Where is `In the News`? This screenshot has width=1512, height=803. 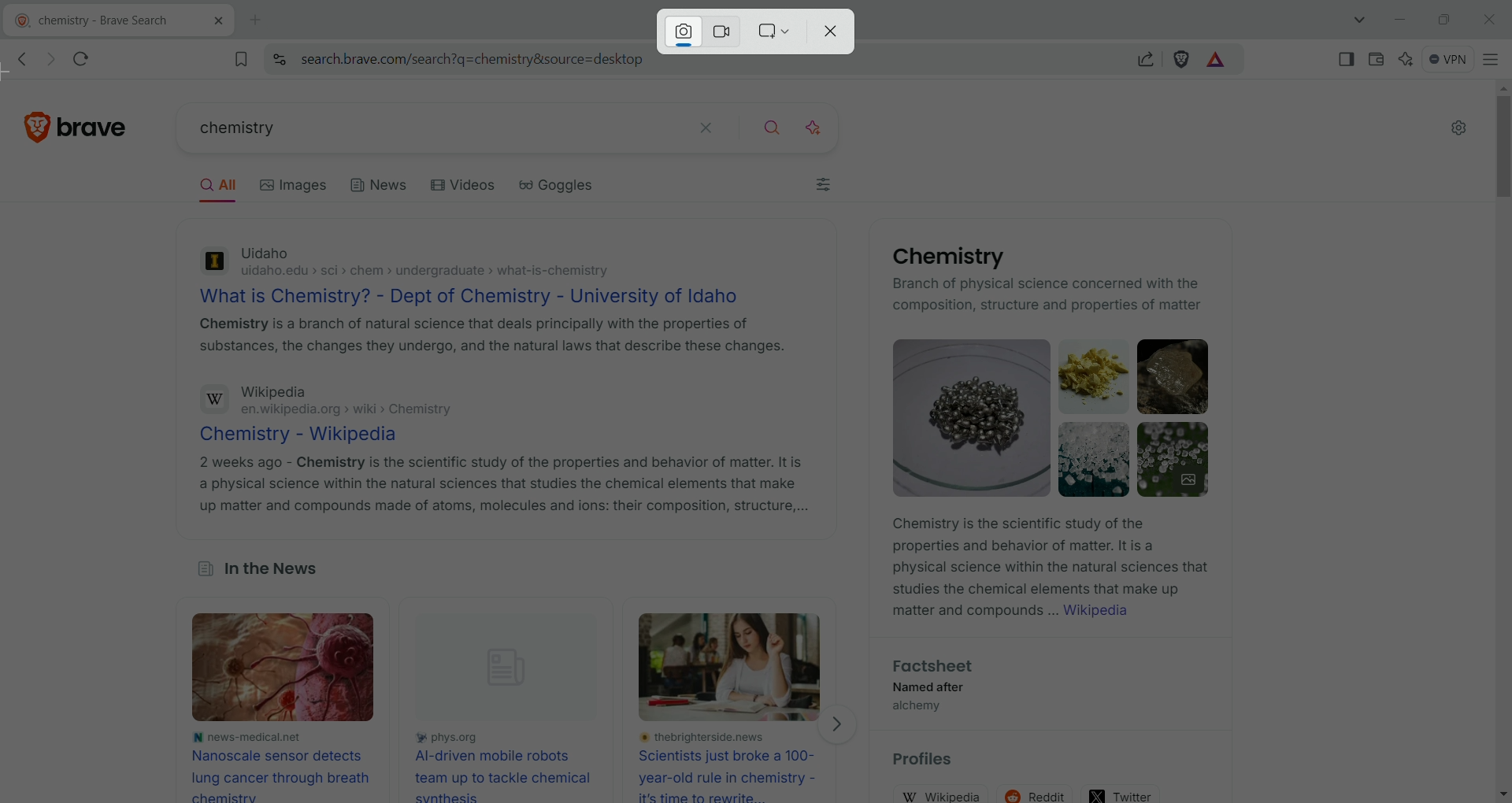
In the News is located at coordinates (256, 572).